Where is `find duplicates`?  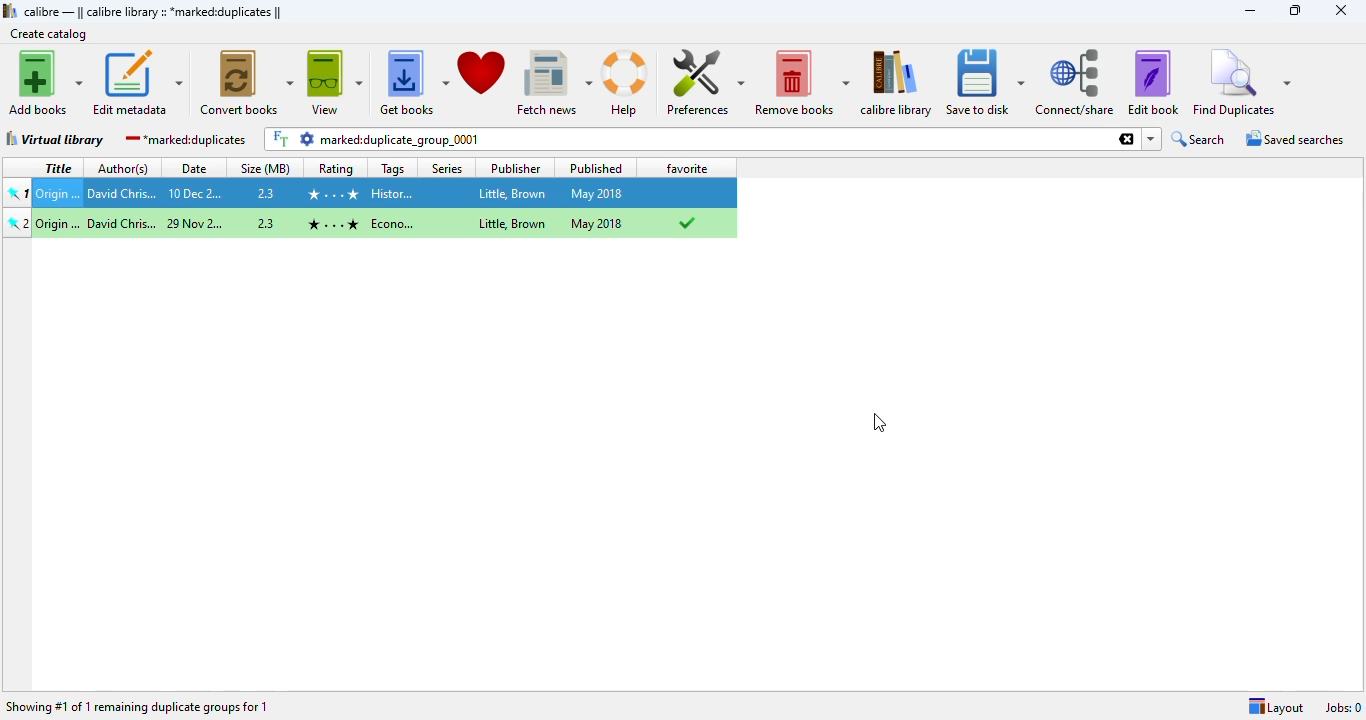 find duplicates is located at coordinates (1243, 83).